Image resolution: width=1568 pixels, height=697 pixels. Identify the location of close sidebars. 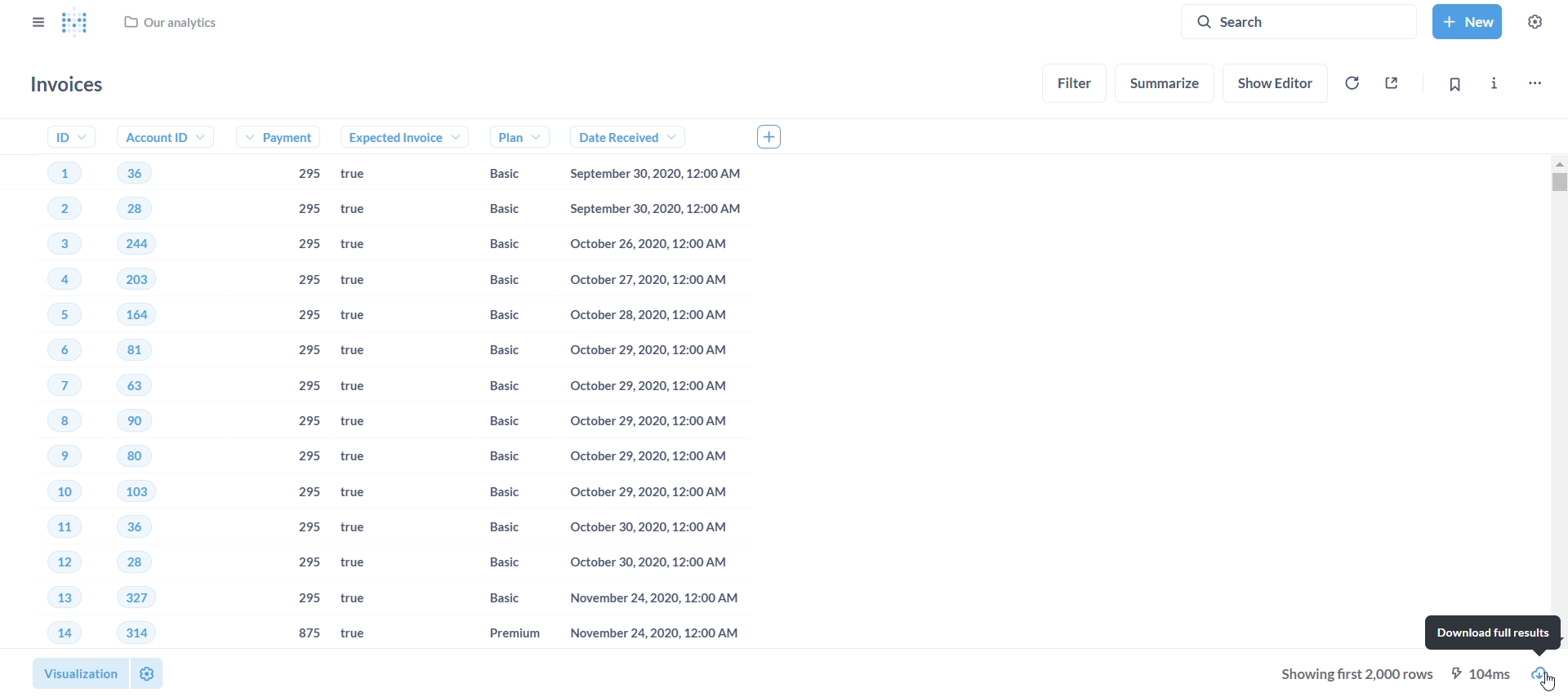
(36, 20).